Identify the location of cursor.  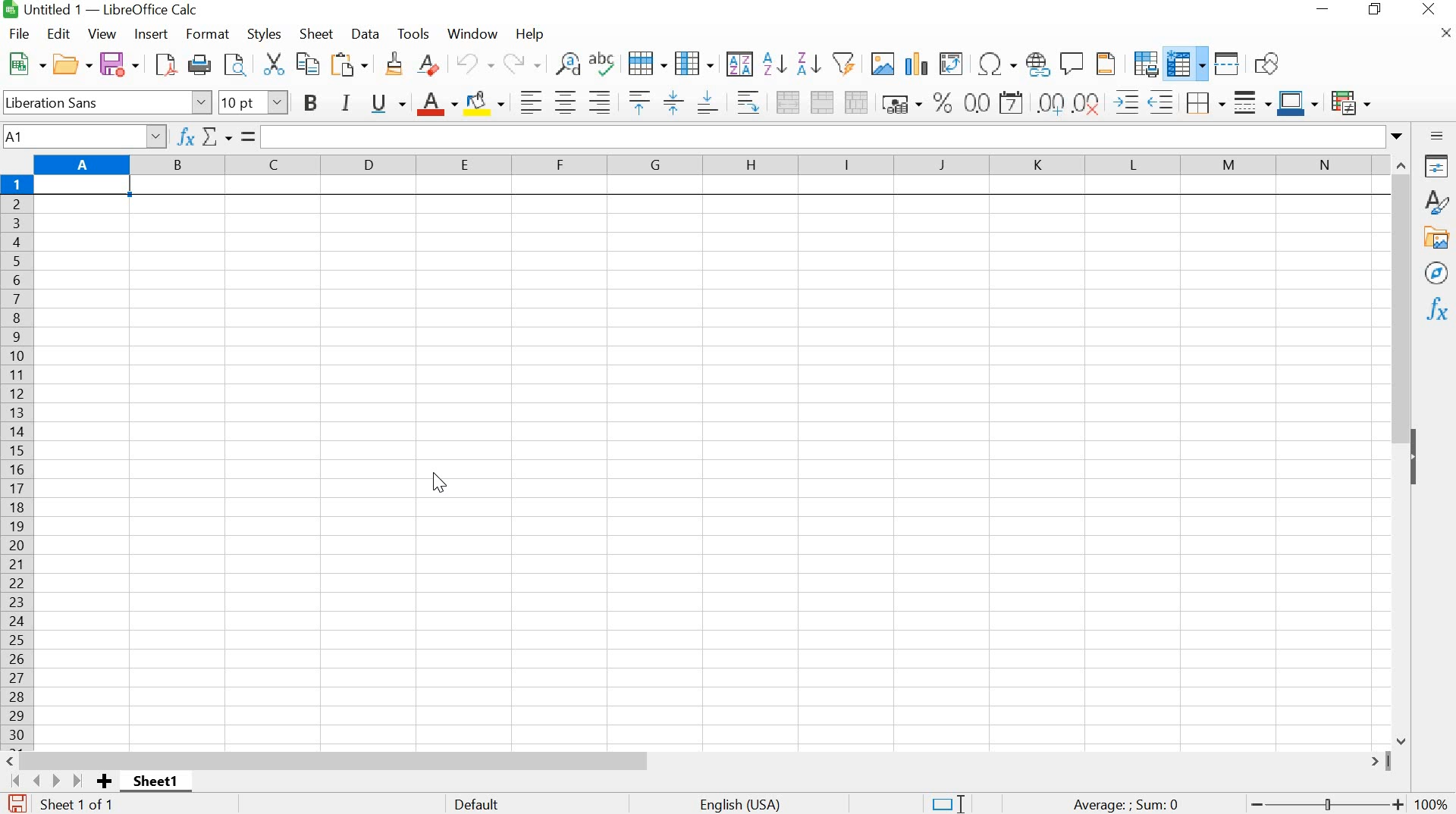
(445, 479).